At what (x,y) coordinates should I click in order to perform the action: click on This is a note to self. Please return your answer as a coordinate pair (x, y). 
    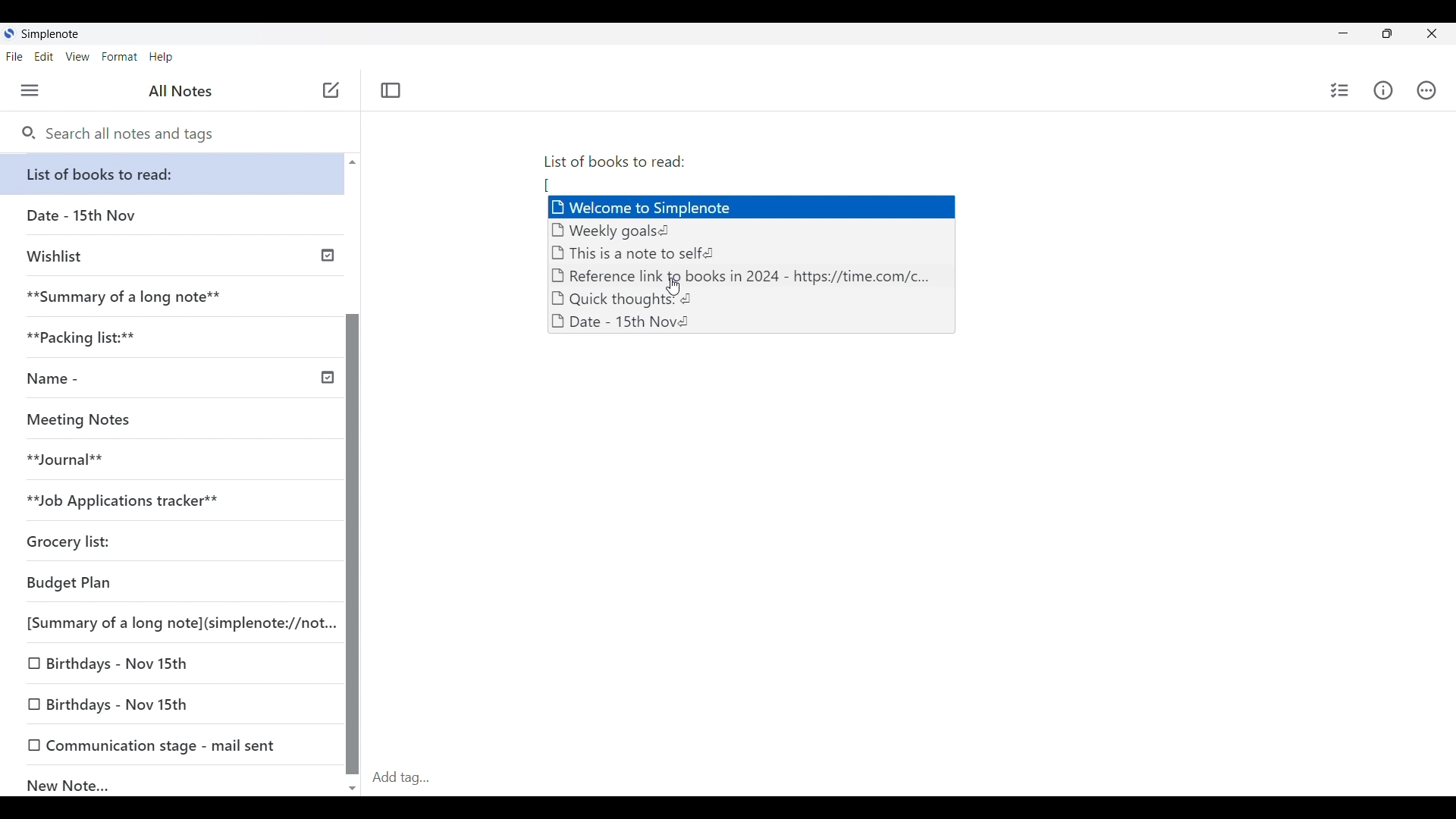
    Looking at the image, I should click on (640, 252).